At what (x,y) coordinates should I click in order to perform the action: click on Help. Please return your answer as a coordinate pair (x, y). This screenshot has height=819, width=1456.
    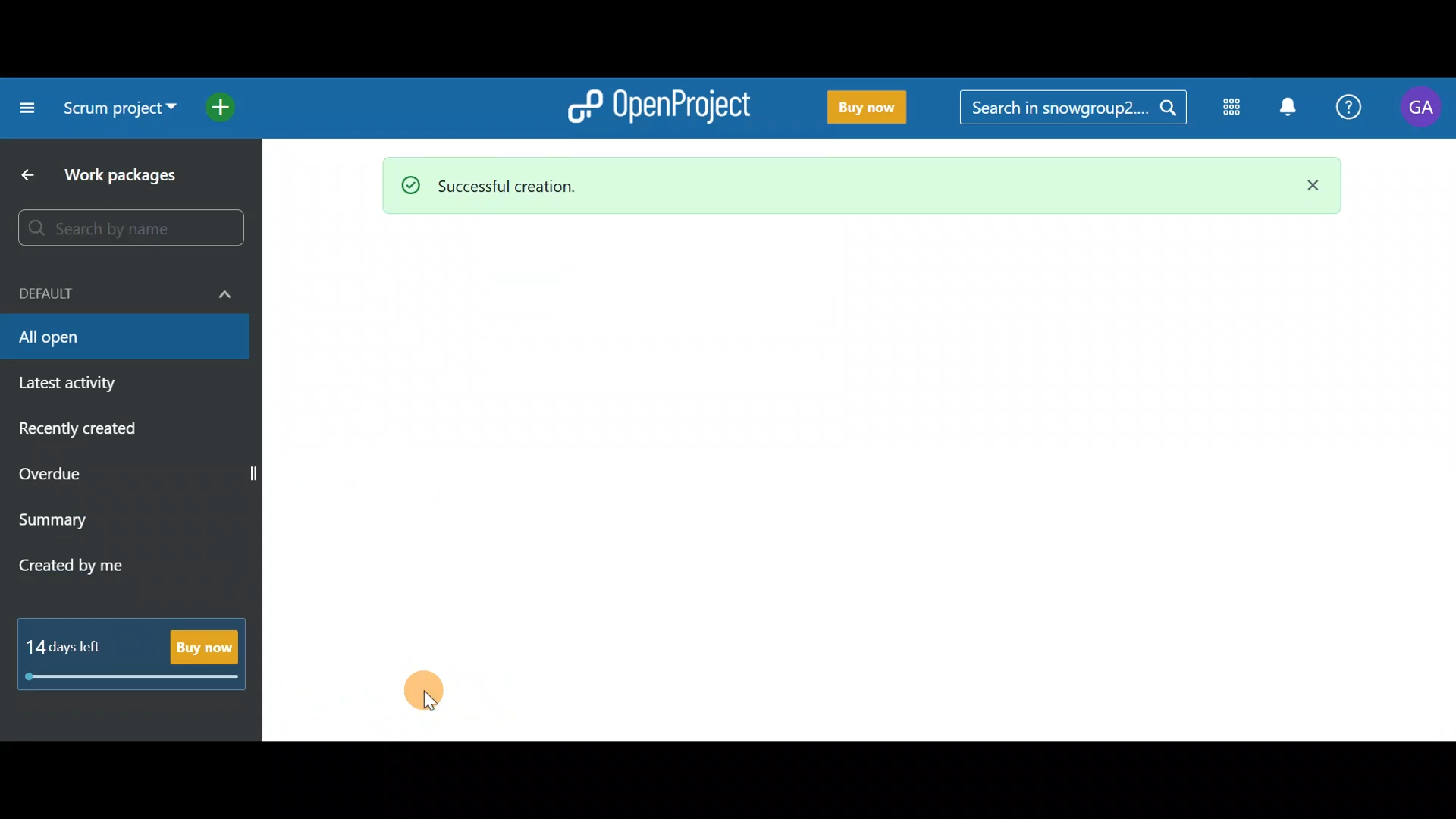
    Looking at the image, I should click on (1350, 109).